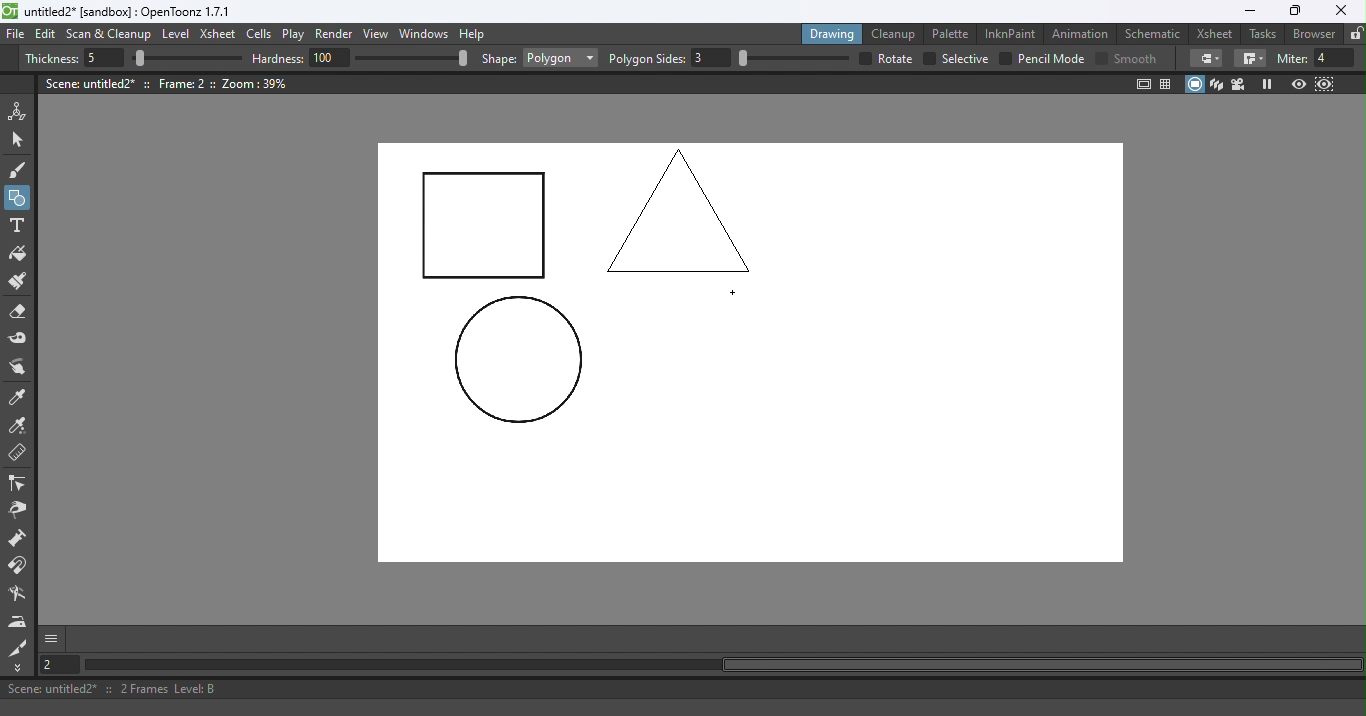  I want to click on slider, so click(793, 58).